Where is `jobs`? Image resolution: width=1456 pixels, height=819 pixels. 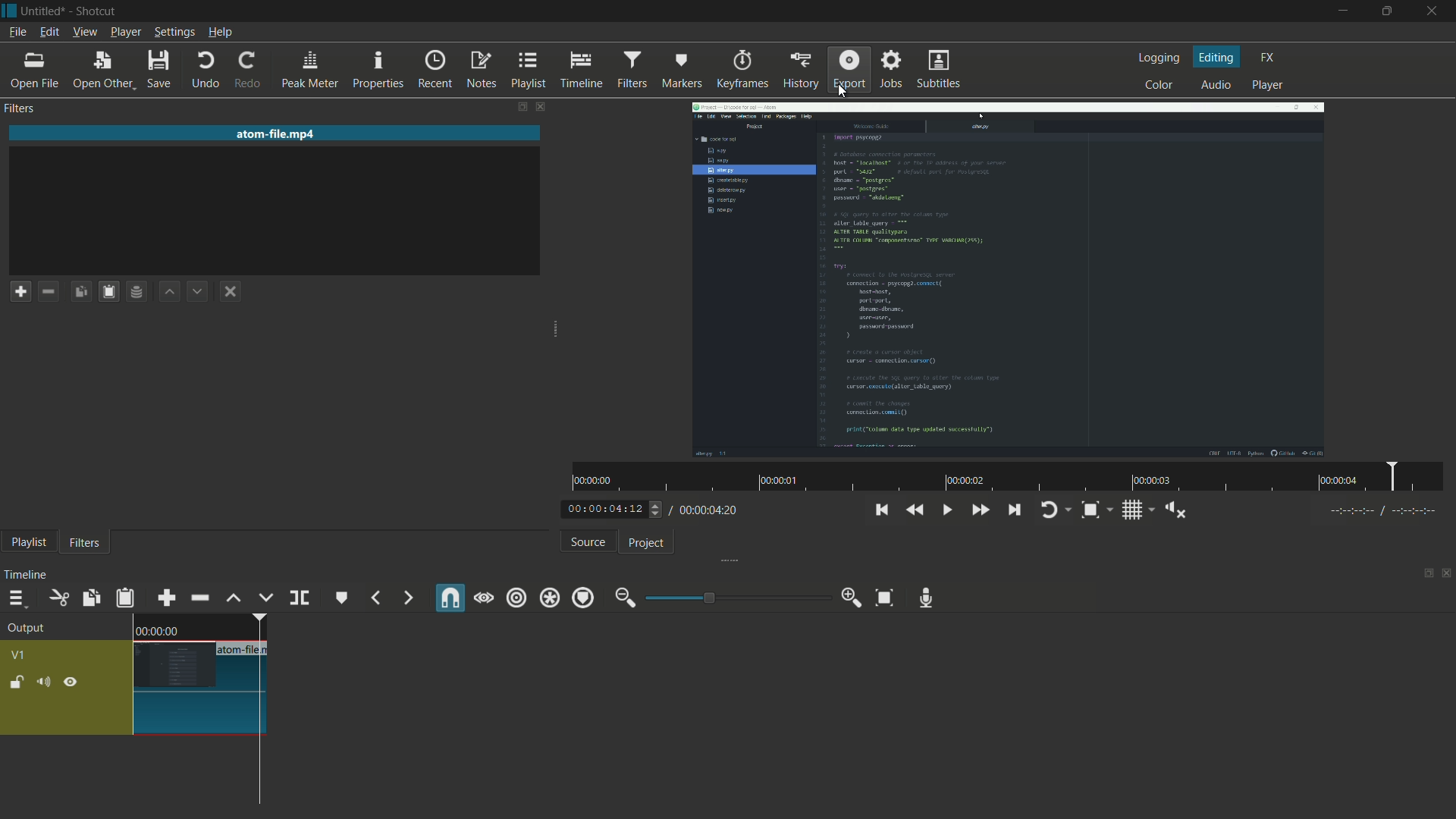
jobs is located at coordinates (893, 70).